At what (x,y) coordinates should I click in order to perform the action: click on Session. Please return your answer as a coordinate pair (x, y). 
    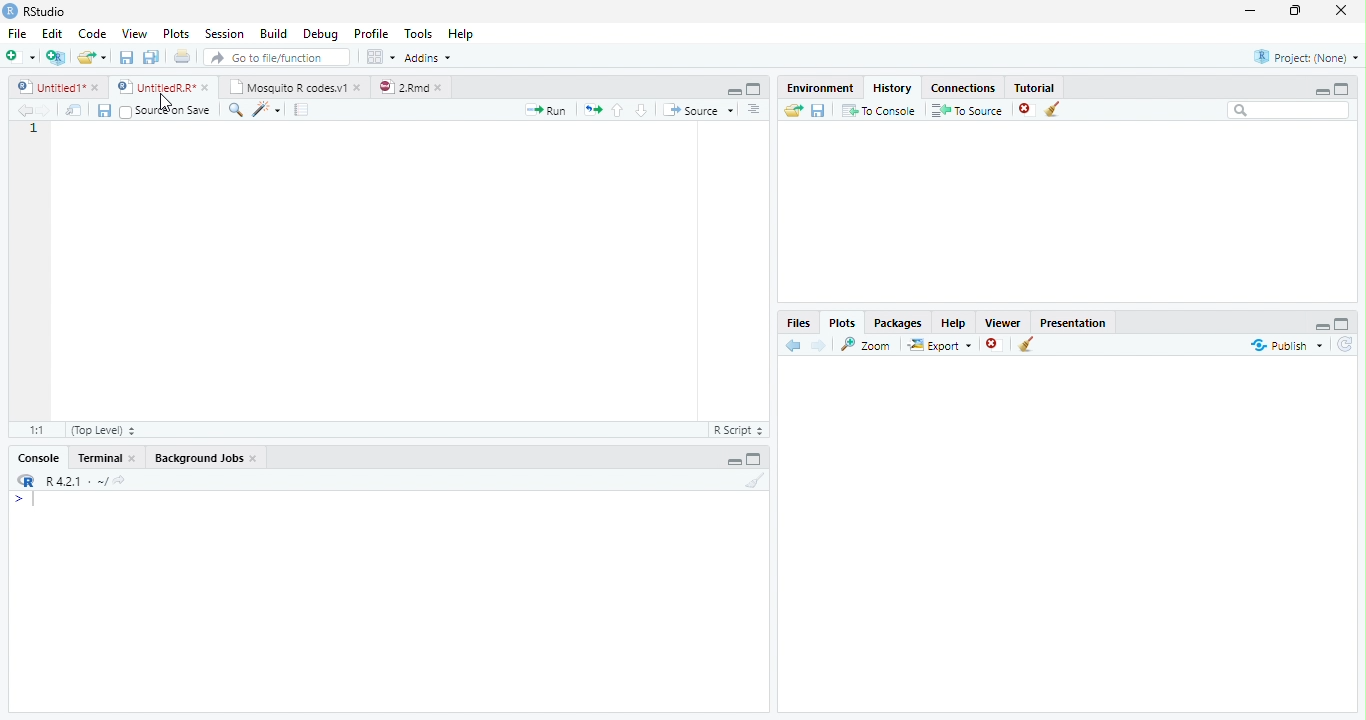
    Looking at the image, I should click on (225, 33).